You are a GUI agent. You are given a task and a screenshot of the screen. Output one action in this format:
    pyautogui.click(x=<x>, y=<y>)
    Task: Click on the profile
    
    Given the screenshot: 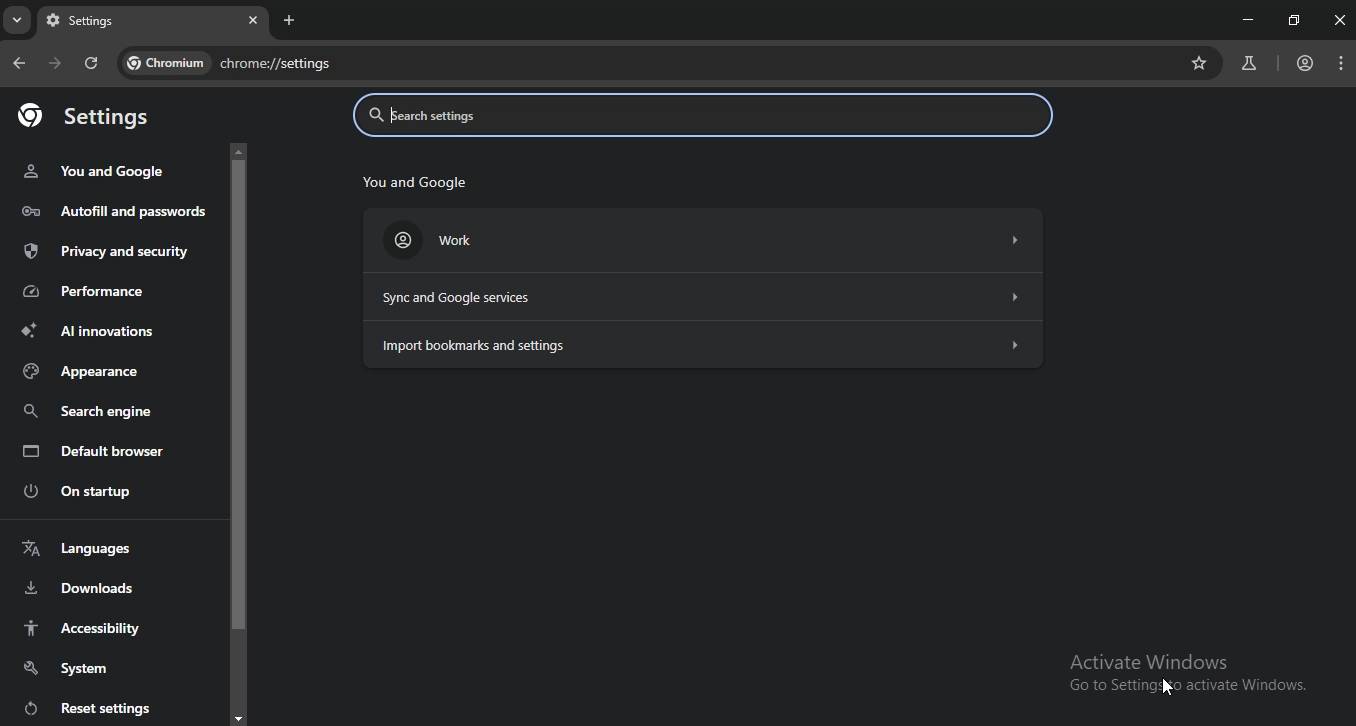 What is the action you would take?
    pyautogui.click(x=1305, y=64)
    